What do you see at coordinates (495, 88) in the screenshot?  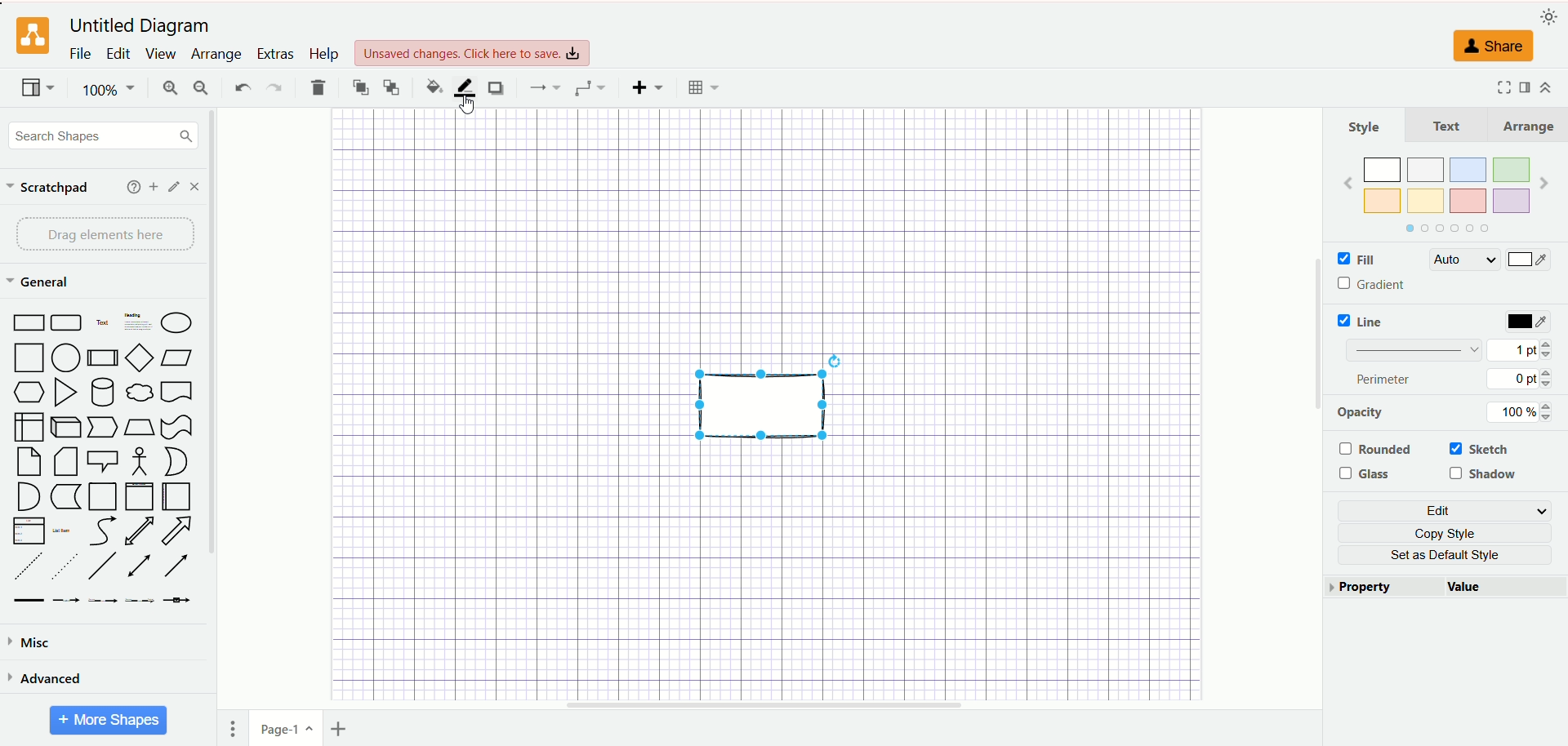 I see `shadow` at bounding box center [495, 88].